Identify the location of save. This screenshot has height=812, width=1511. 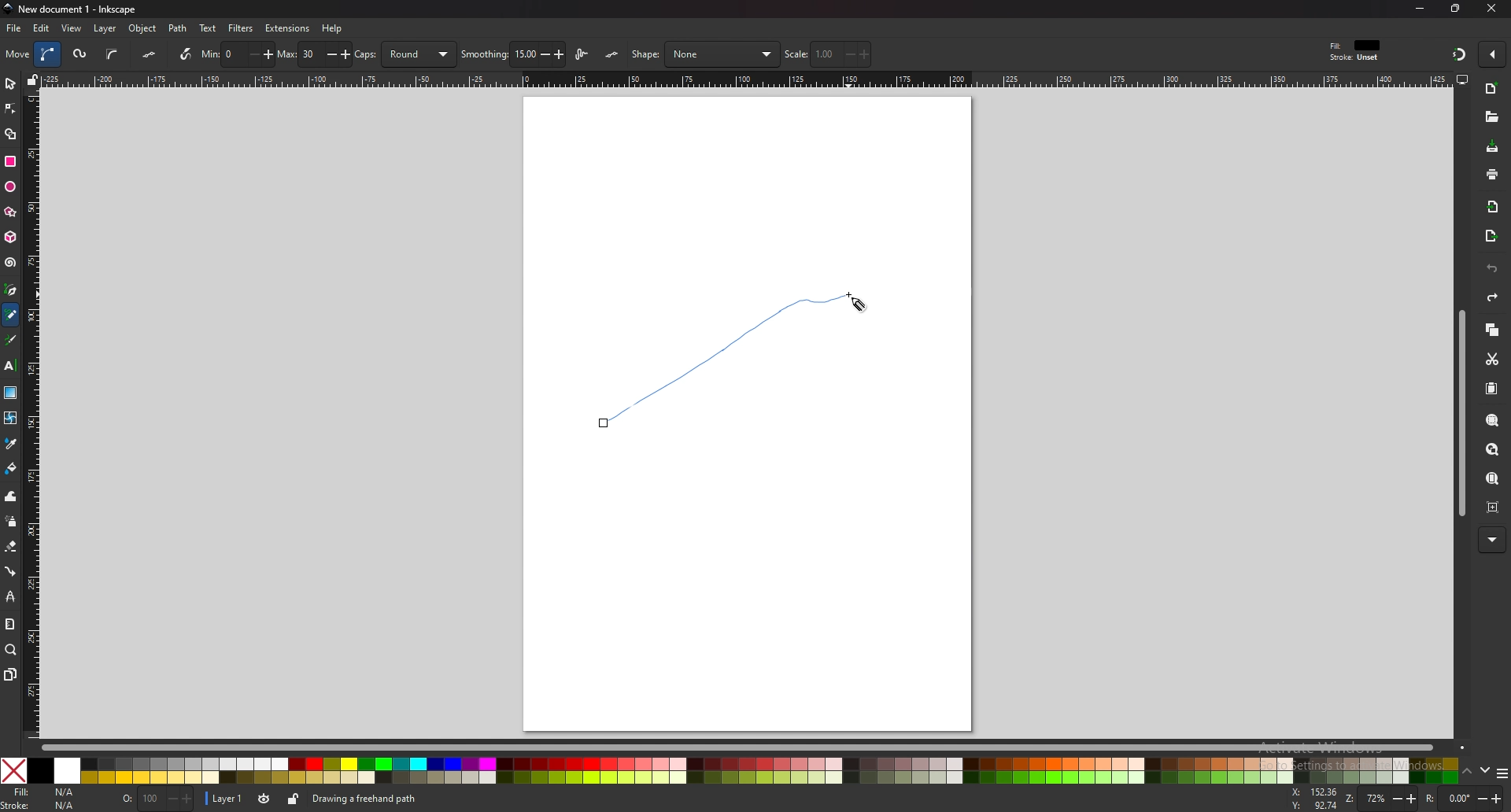
(1493, 148).